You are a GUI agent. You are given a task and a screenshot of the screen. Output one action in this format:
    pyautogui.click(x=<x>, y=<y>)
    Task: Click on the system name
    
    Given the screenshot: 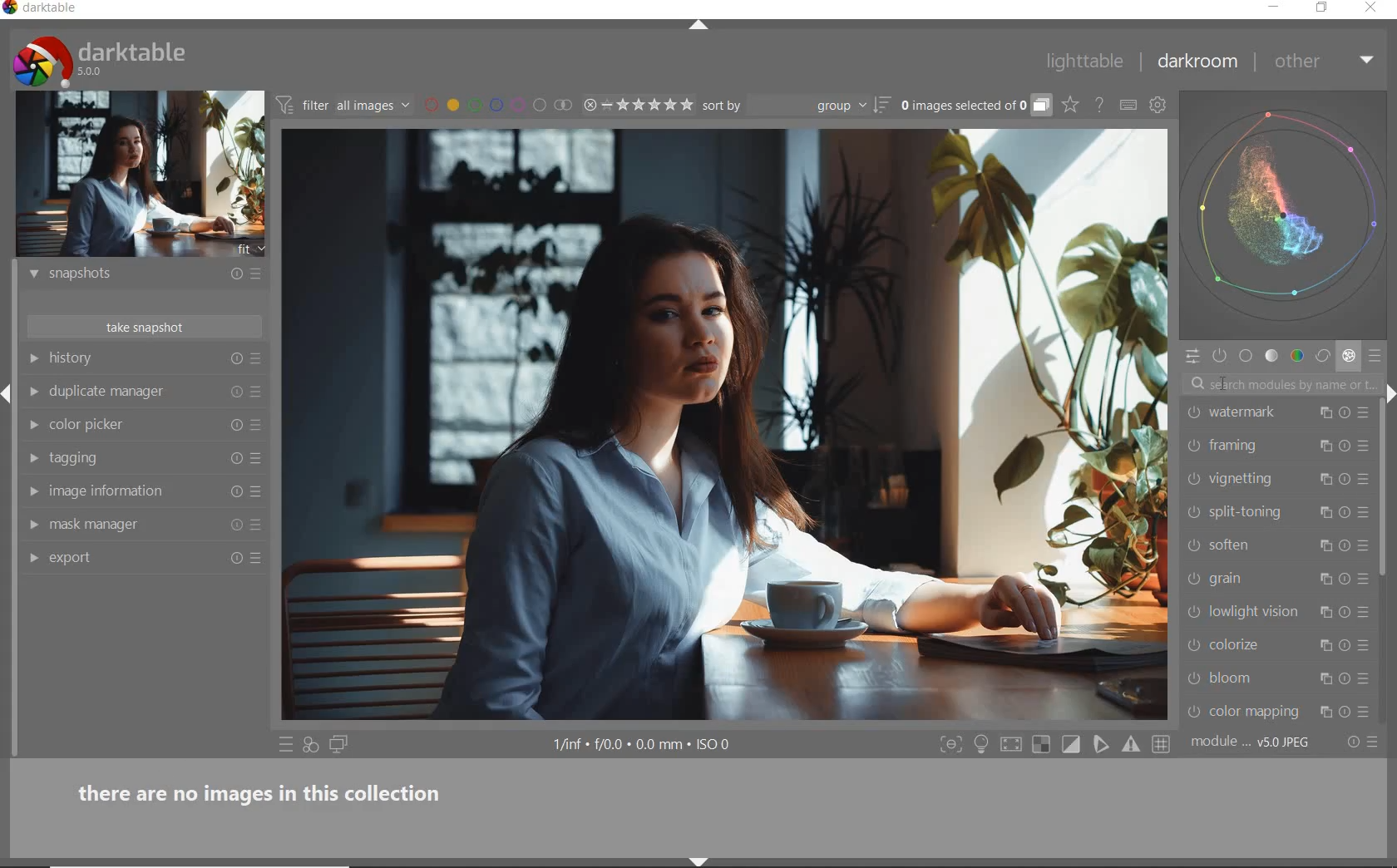 What is the action you would take?
    pyautogui.click(x=42, y=9)
    